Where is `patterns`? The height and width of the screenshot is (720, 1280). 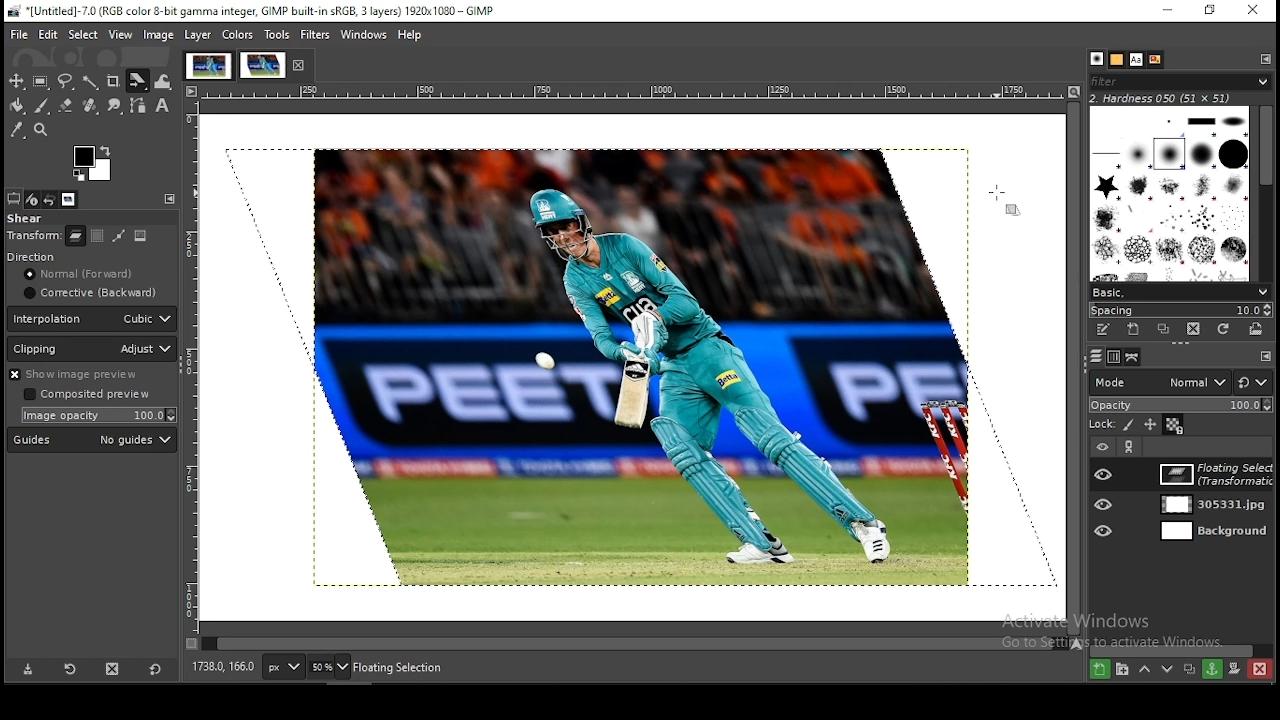 patterns is located at coordinates (1095, 58).